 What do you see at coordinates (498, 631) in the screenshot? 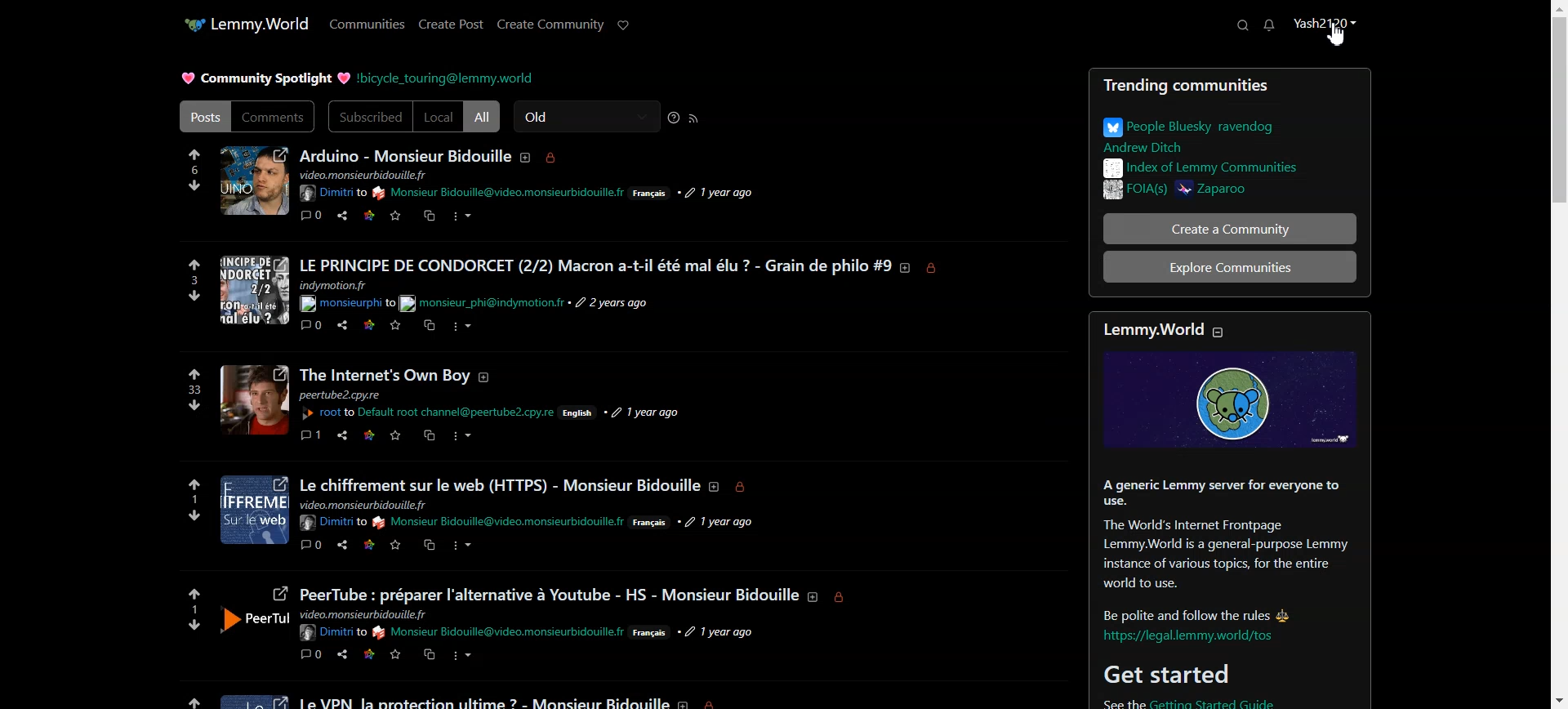
I see `Hyperlink` at bounding box center [498, 631].